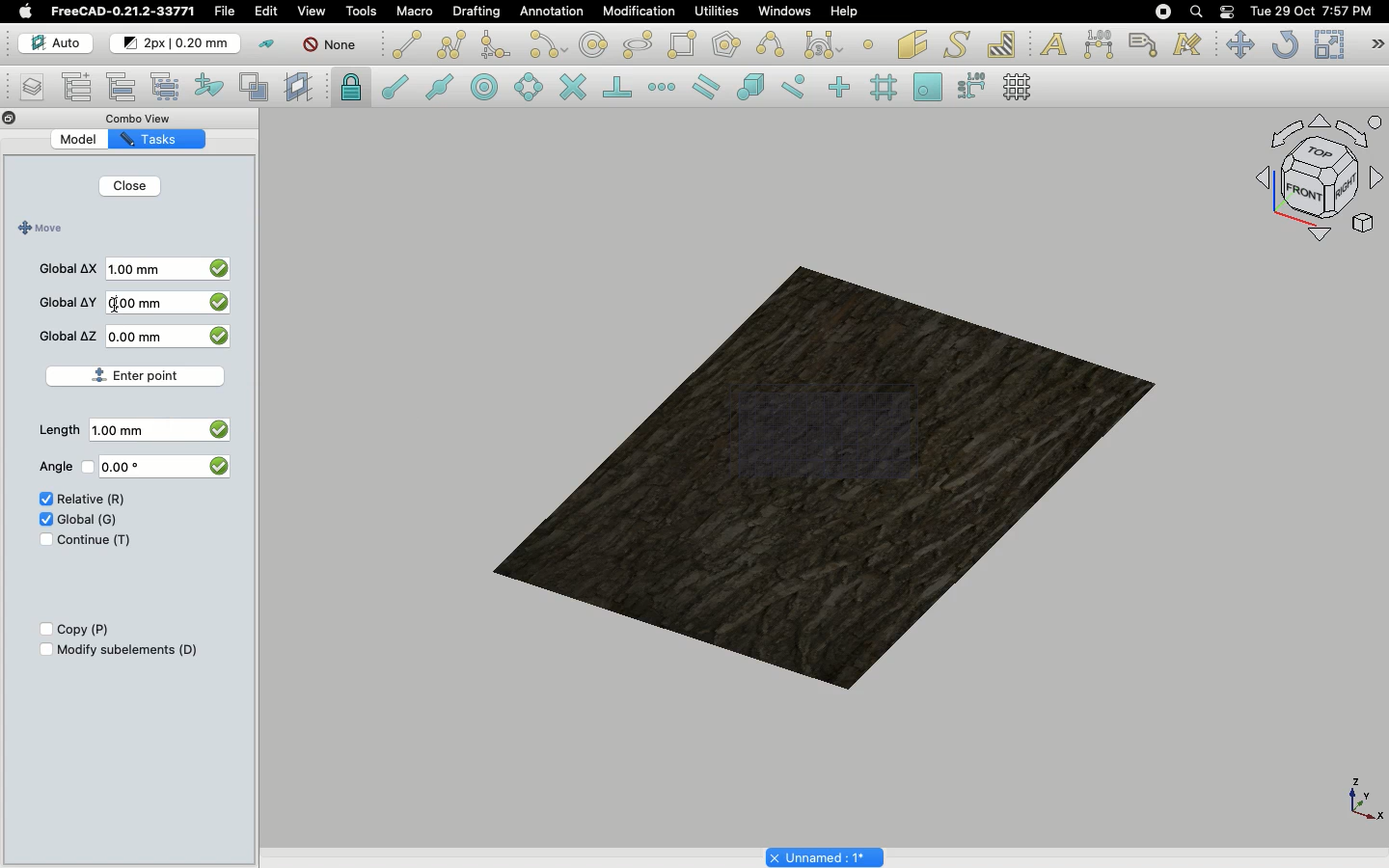  What do you see at coordinates (361, 12) in the screenshot?
I see `Tools` at bounding box center [361, 12].